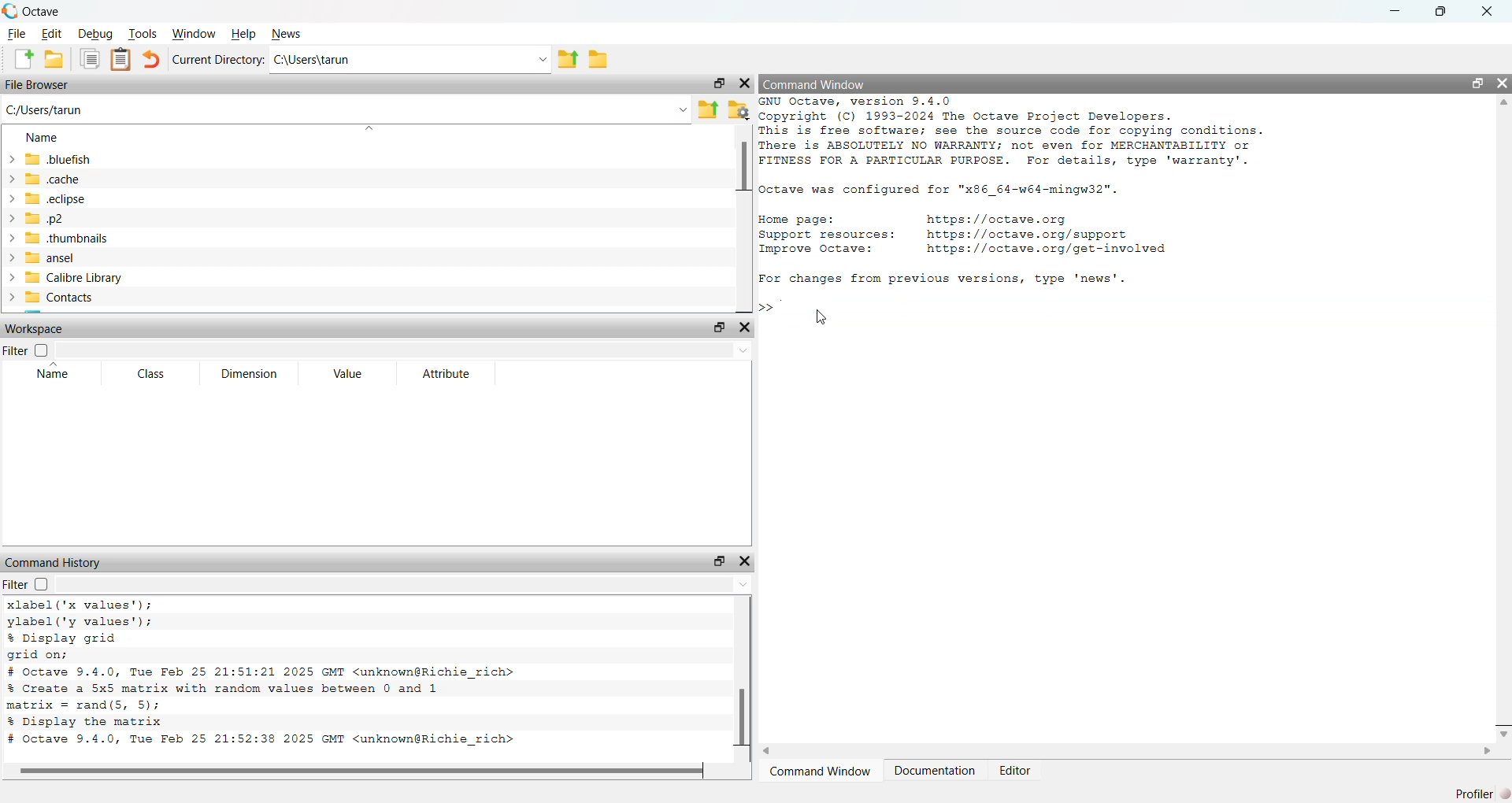  What do you see at coordinates (741, 218) in the screenshot?
I see `scroll bar` at bounding box center [741, 218].